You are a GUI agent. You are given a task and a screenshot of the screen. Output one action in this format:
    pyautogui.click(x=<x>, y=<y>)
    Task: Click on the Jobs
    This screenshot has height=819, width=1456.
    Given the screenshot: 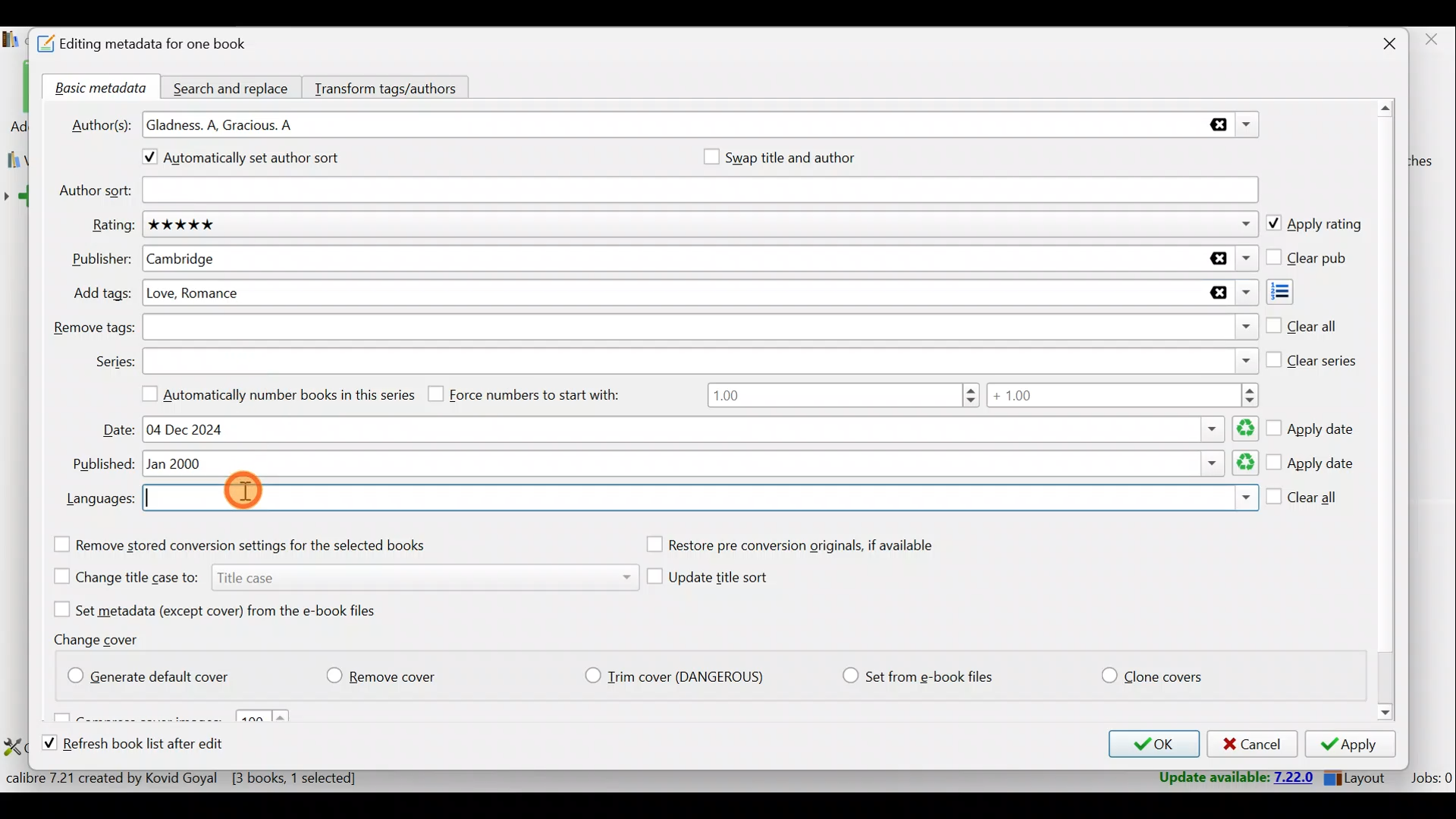 What is the action you would take?
    pyautogui.click(x=1430, y=777)
    